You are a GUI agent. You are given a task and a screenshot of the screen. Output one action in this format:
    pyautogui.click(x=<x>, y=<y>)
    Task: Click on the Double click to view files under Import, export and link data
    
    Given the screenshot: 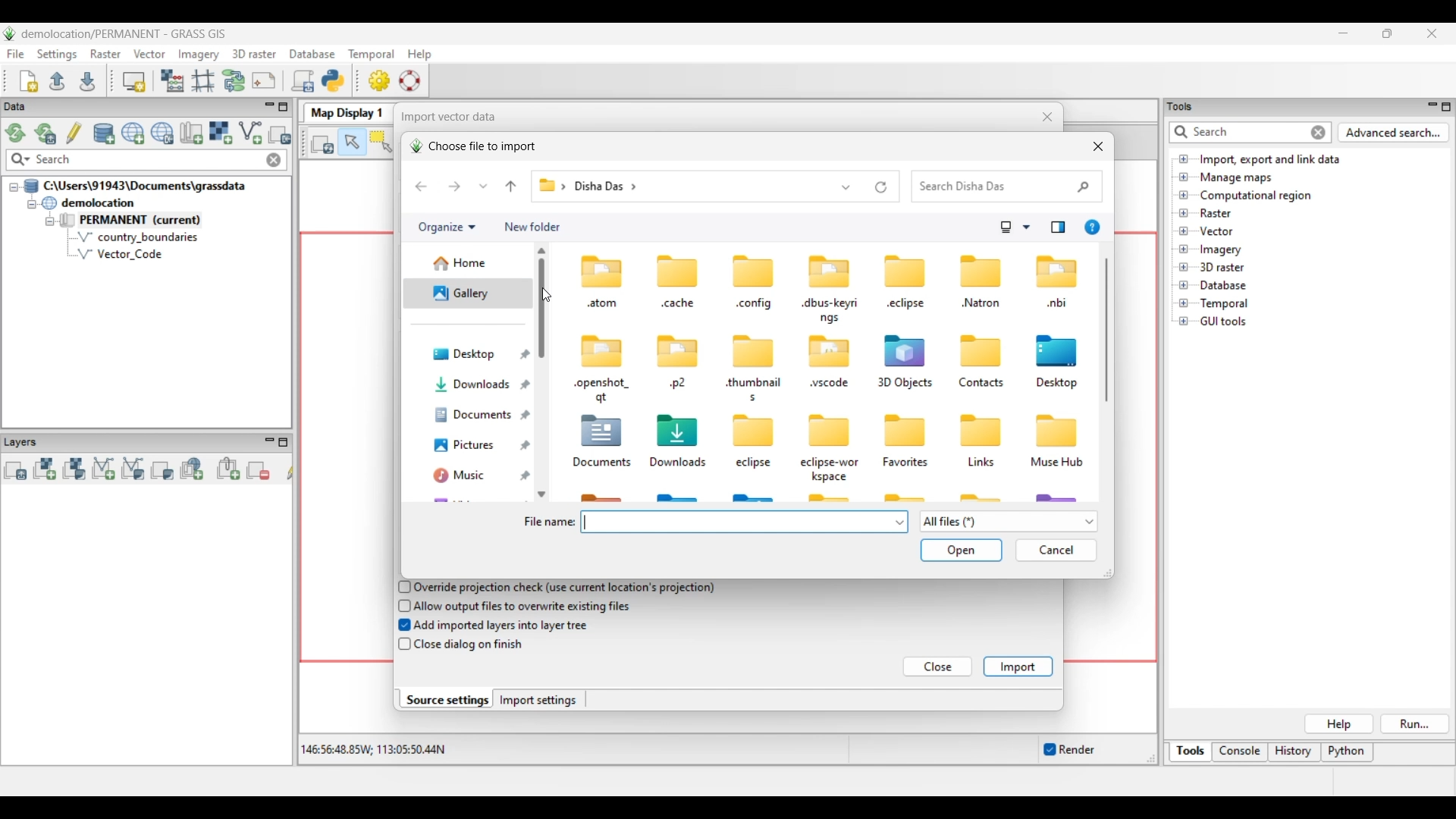 What is the action you would take?
    pyautogui.click(x=1270, y=160)
    